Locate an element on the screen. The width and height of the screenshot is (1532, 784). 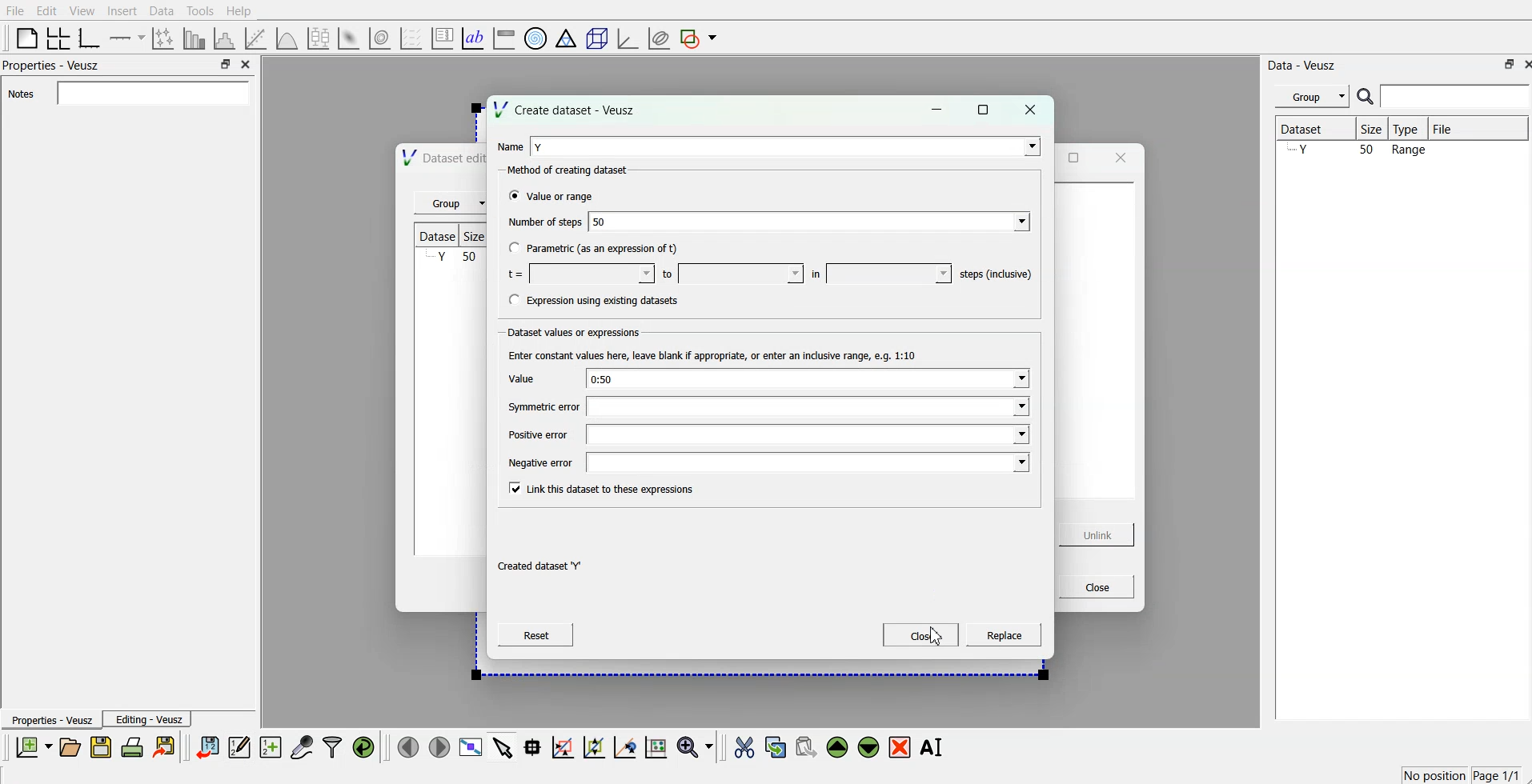
read the data points is located at coordinates (535, 749).